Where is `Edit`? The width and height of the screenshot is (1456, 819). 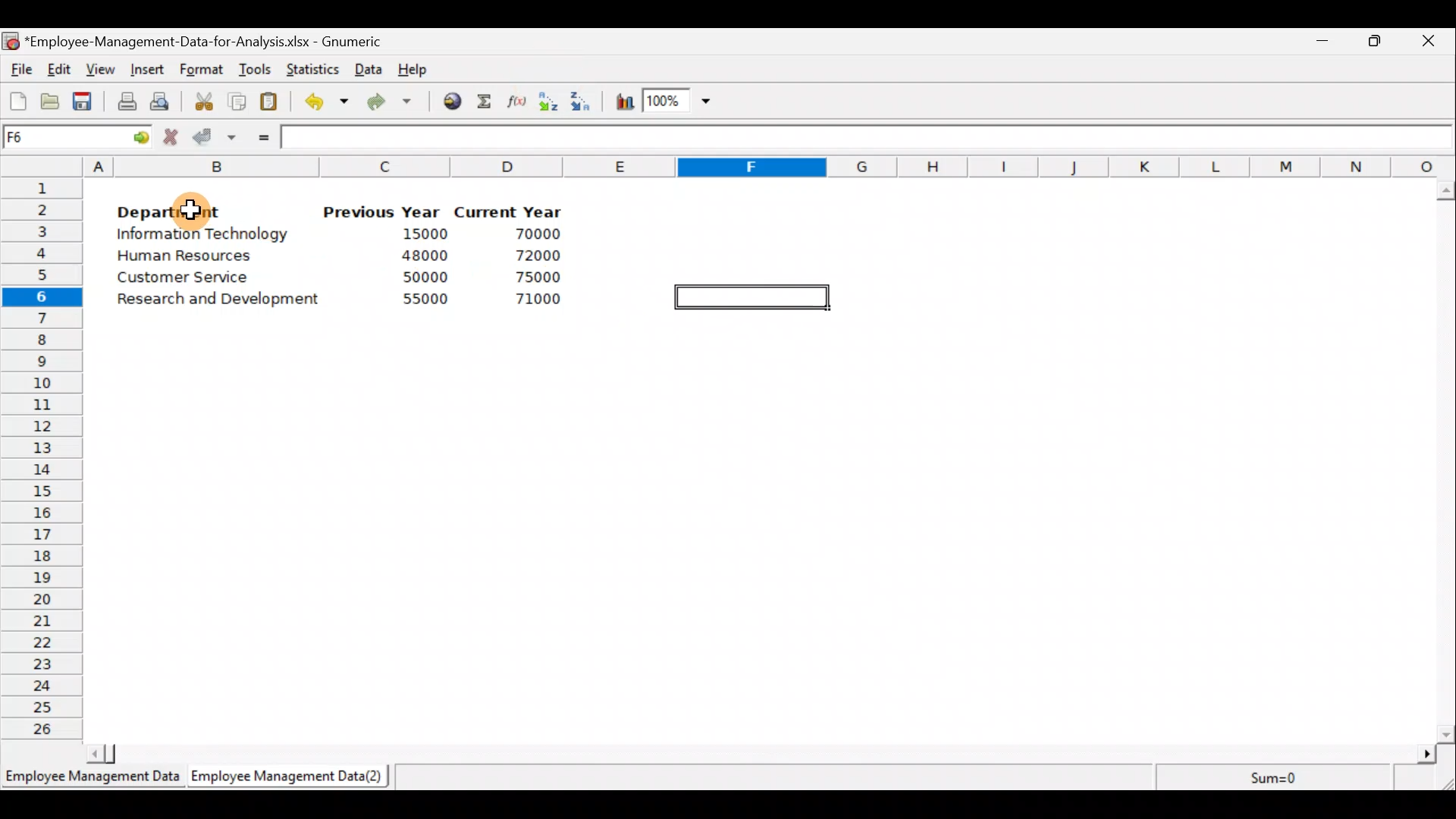 Edit is located at coordinates (60, 71).